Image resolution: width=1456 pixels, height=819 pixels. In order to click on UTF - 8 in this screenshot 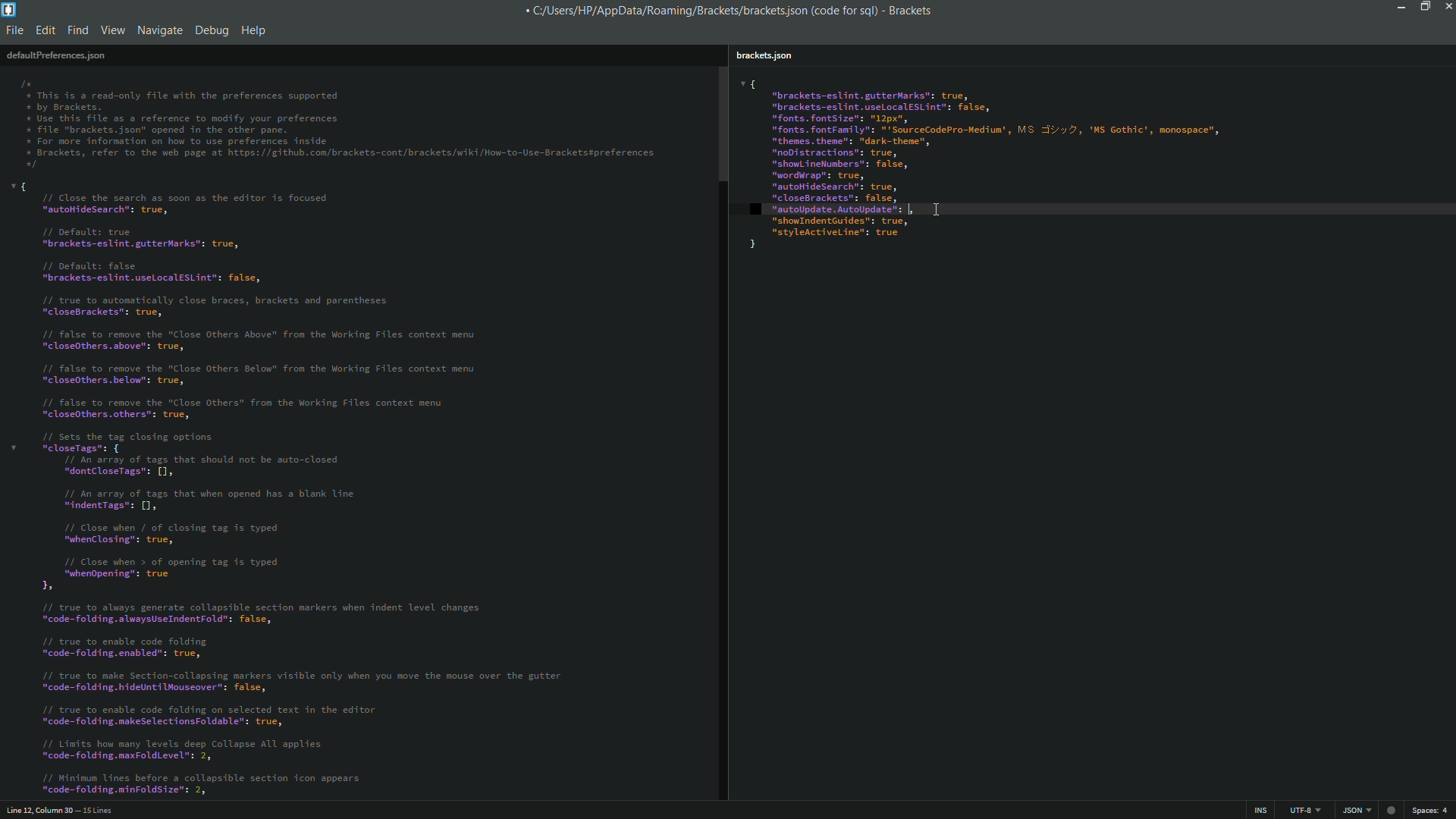, I will do `click(1301, 809)`.